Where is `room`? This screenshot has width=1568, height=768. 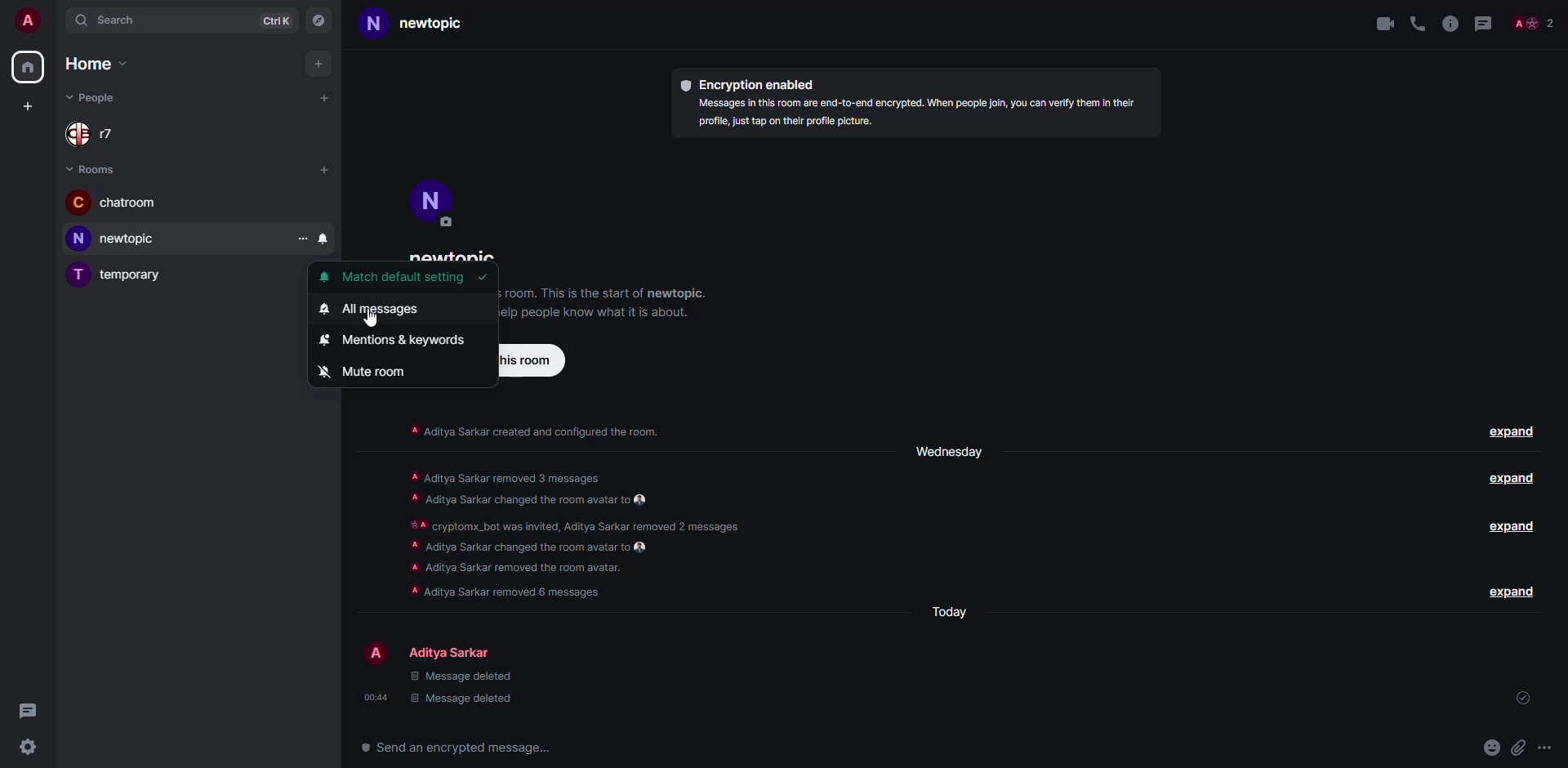 room is located at coordinates (418, 26).